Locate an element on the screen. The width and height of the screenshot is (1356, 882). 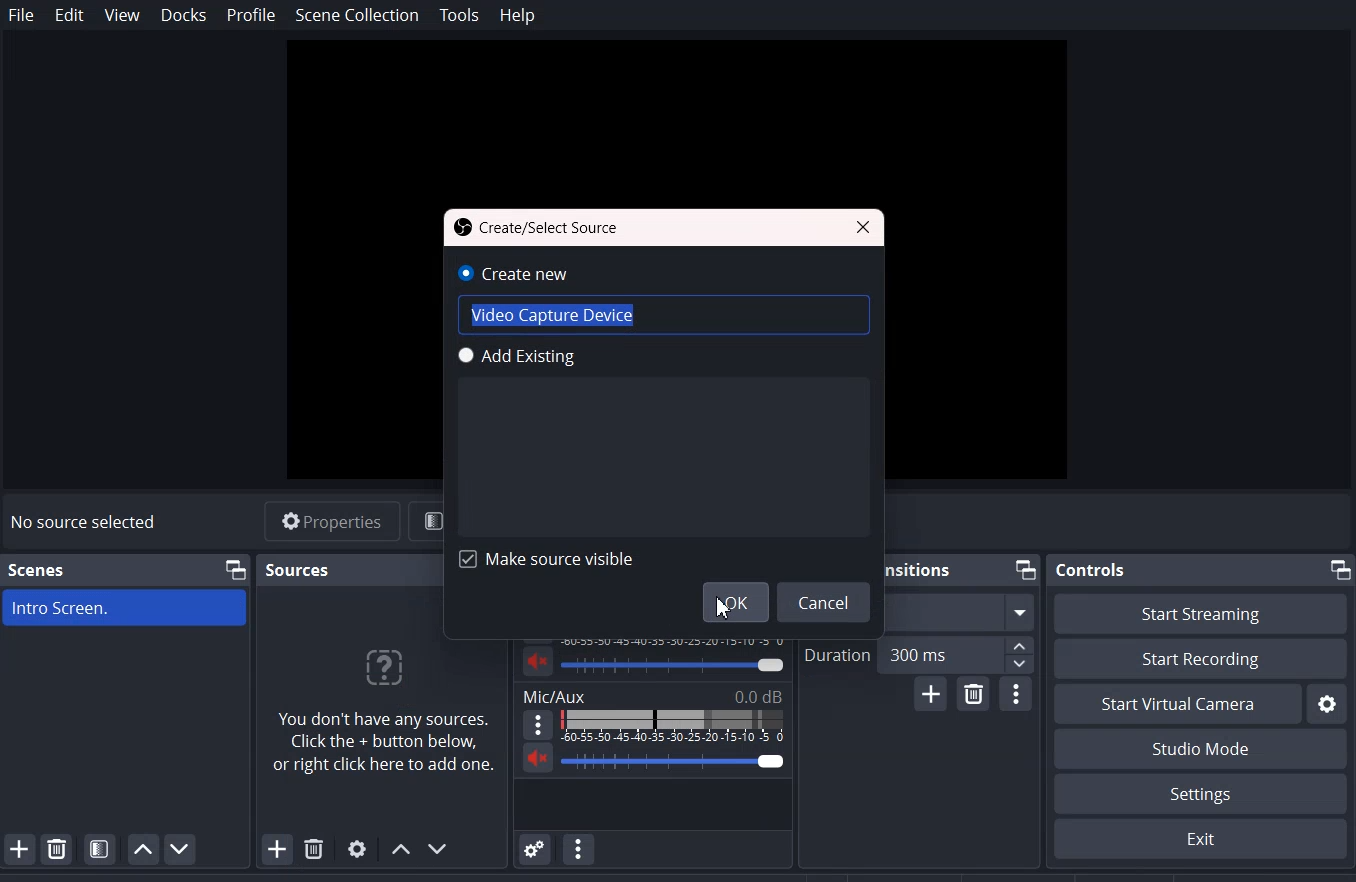
Remove Selected Scene is located at coordinates (57, 847).